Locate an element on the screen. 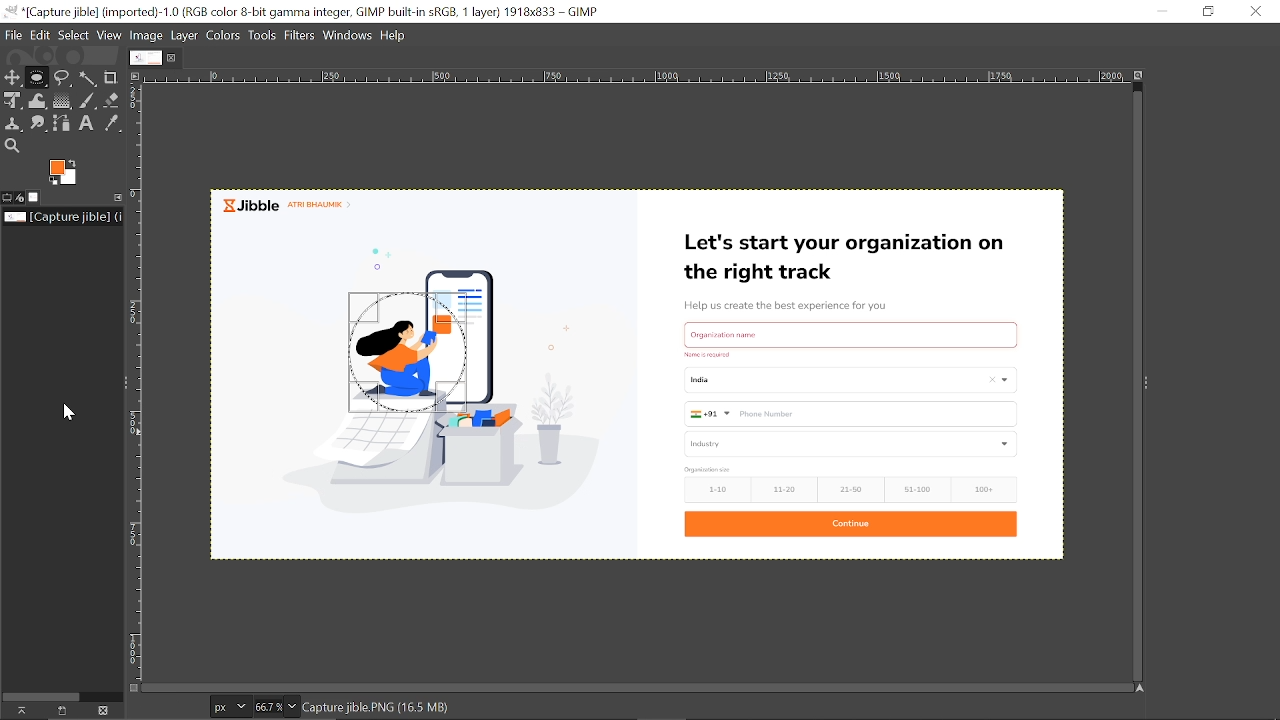  Circular selection created is located at coordinates (403, 351).